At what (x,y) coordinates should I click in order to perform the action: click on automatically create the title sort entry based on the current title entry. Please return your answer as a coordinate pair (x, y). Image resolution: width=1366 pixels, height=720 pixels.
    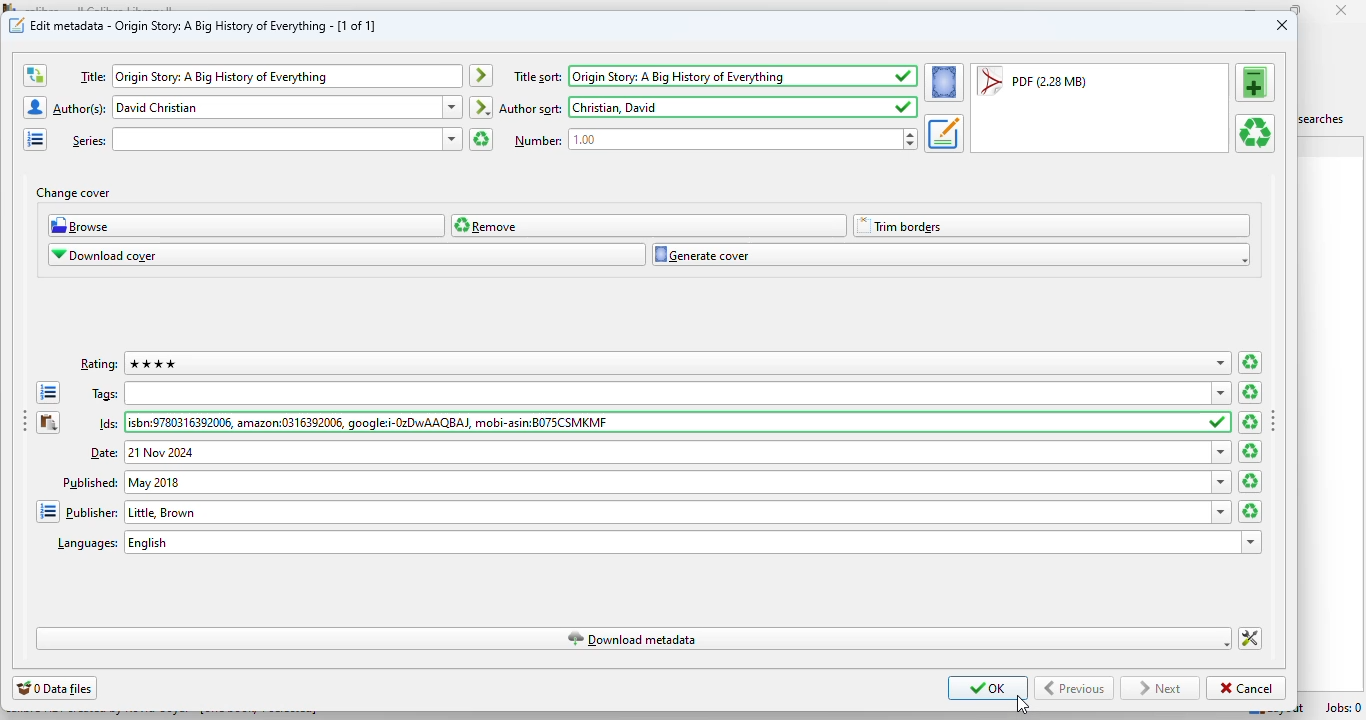
    Looking at the image, I should click on (482, 76).